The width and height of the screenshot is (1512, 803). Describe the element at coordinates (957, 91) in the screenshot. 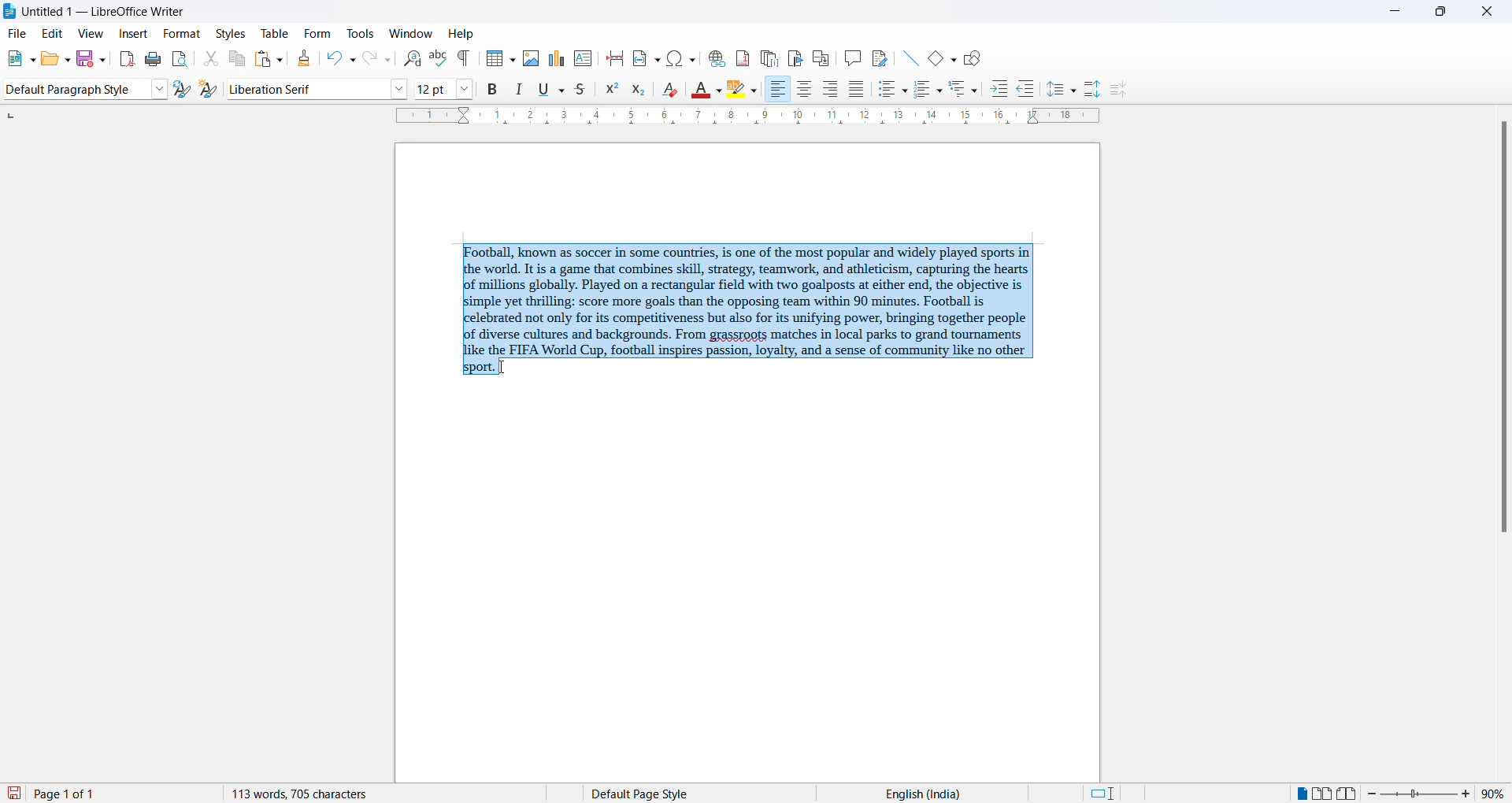

I see `outline format ` at that location.